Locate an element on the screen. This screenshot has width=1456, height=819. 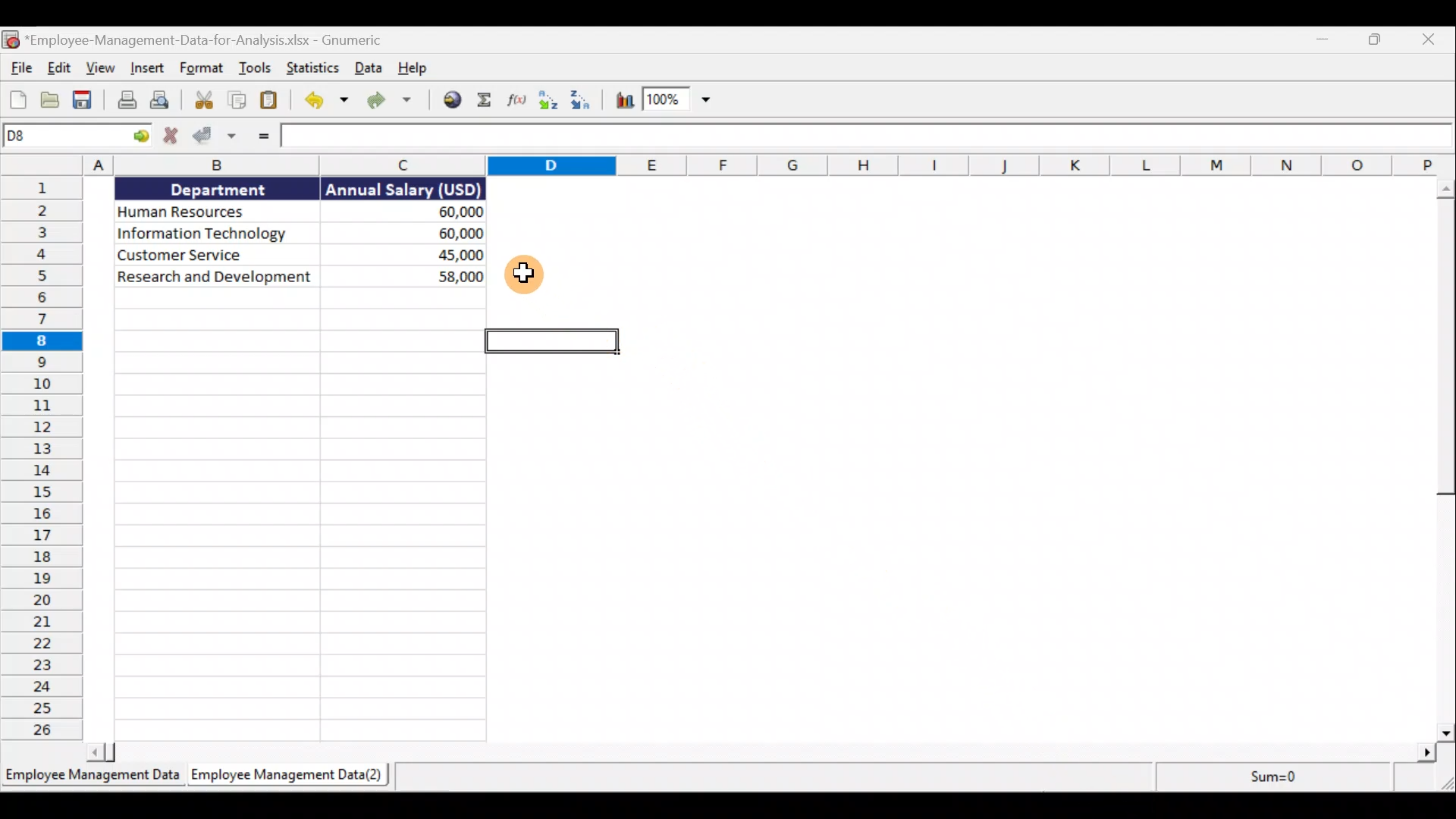
sum=0 is located at coordinates (1267, 777).